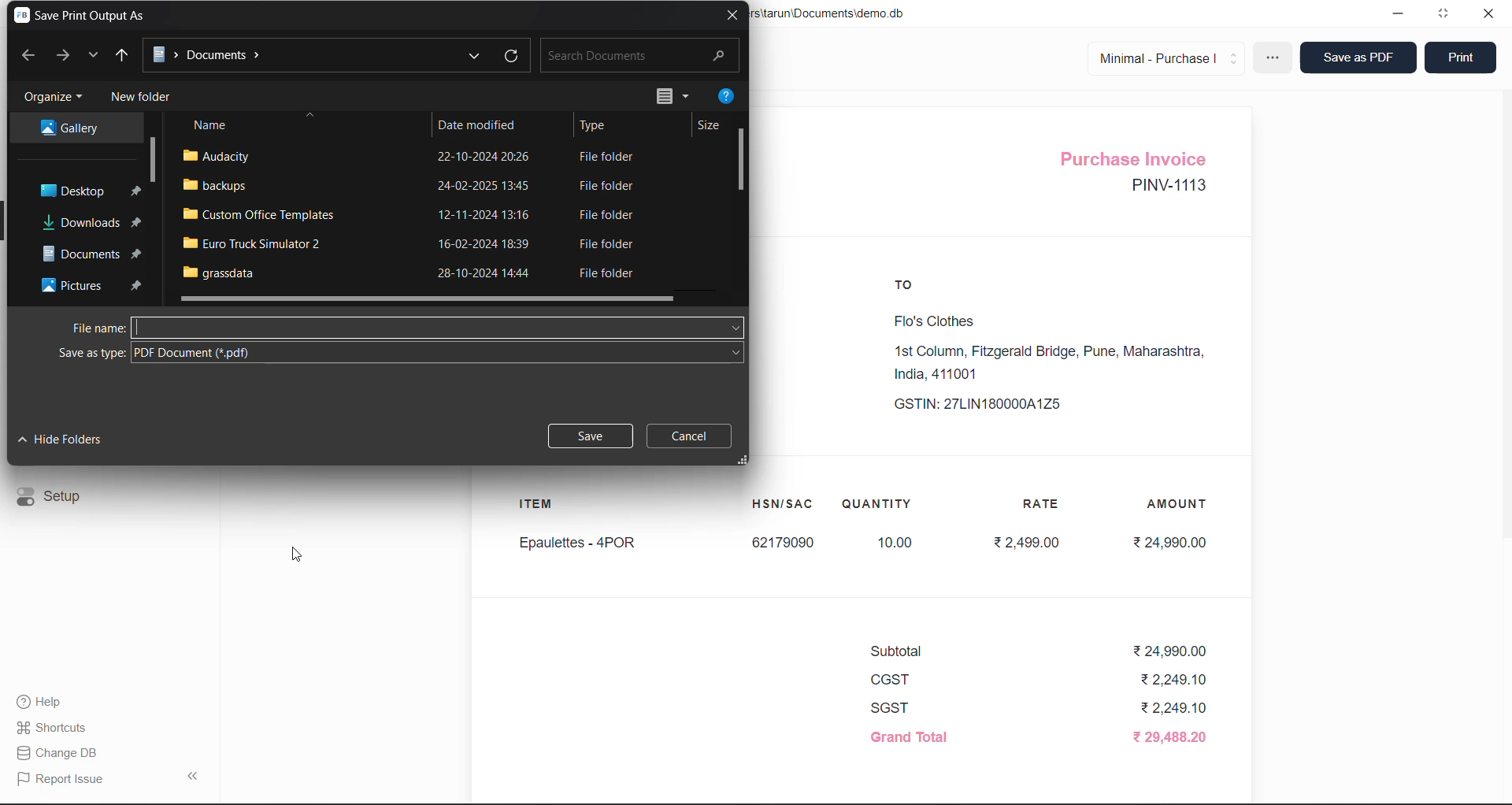  Describe the element at coordinates (877, 506) in the screenshot. I see `QUANTITY` at that location.